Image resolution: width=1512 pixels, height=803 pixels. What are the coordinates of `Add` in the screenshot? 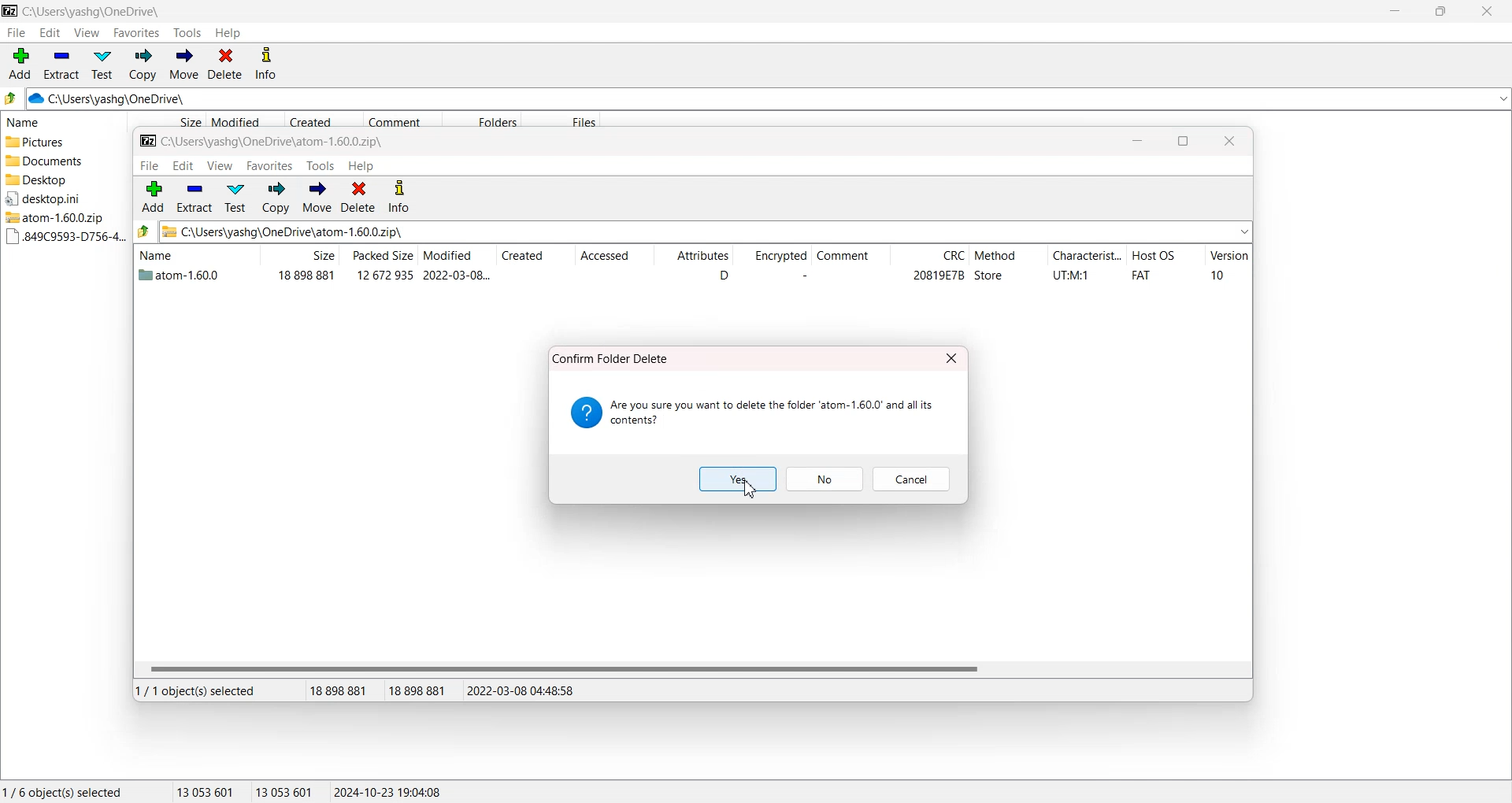 It's located at (20, 64).